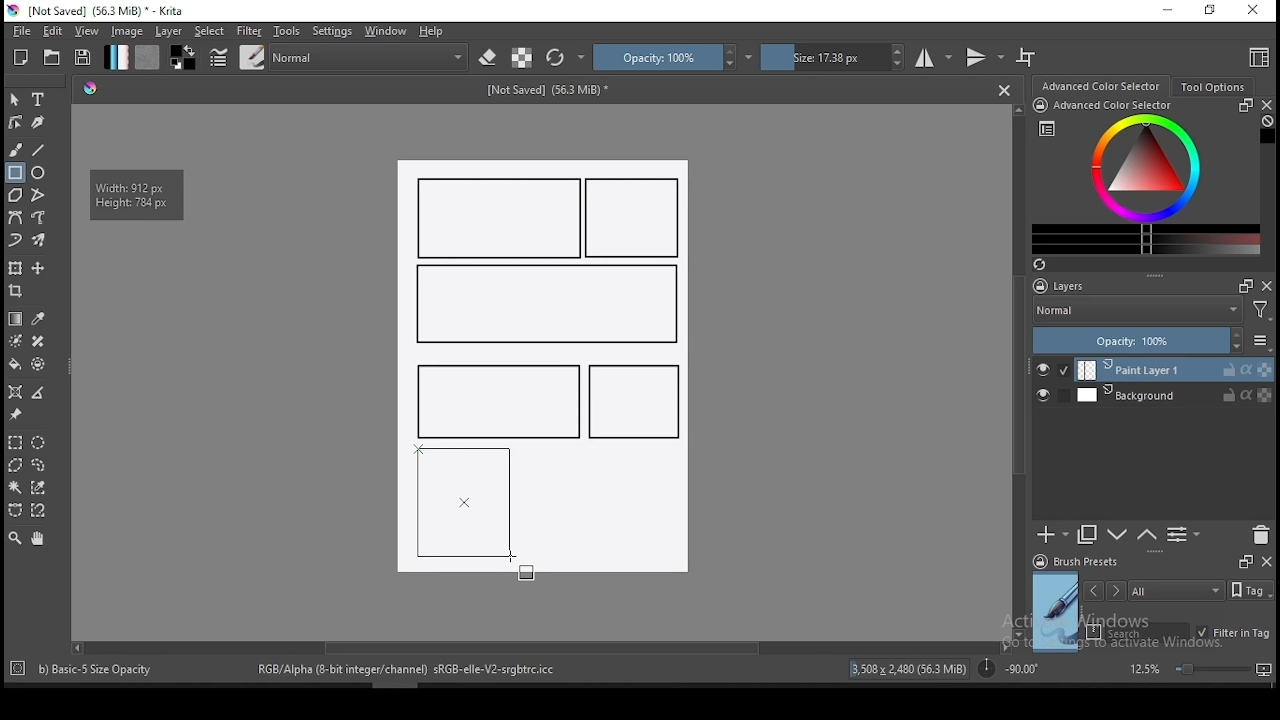 This screenshot has width=1280, height=720. Describe the element at coordinates (170, 31) in the screenshot. I see `layer` at that location.